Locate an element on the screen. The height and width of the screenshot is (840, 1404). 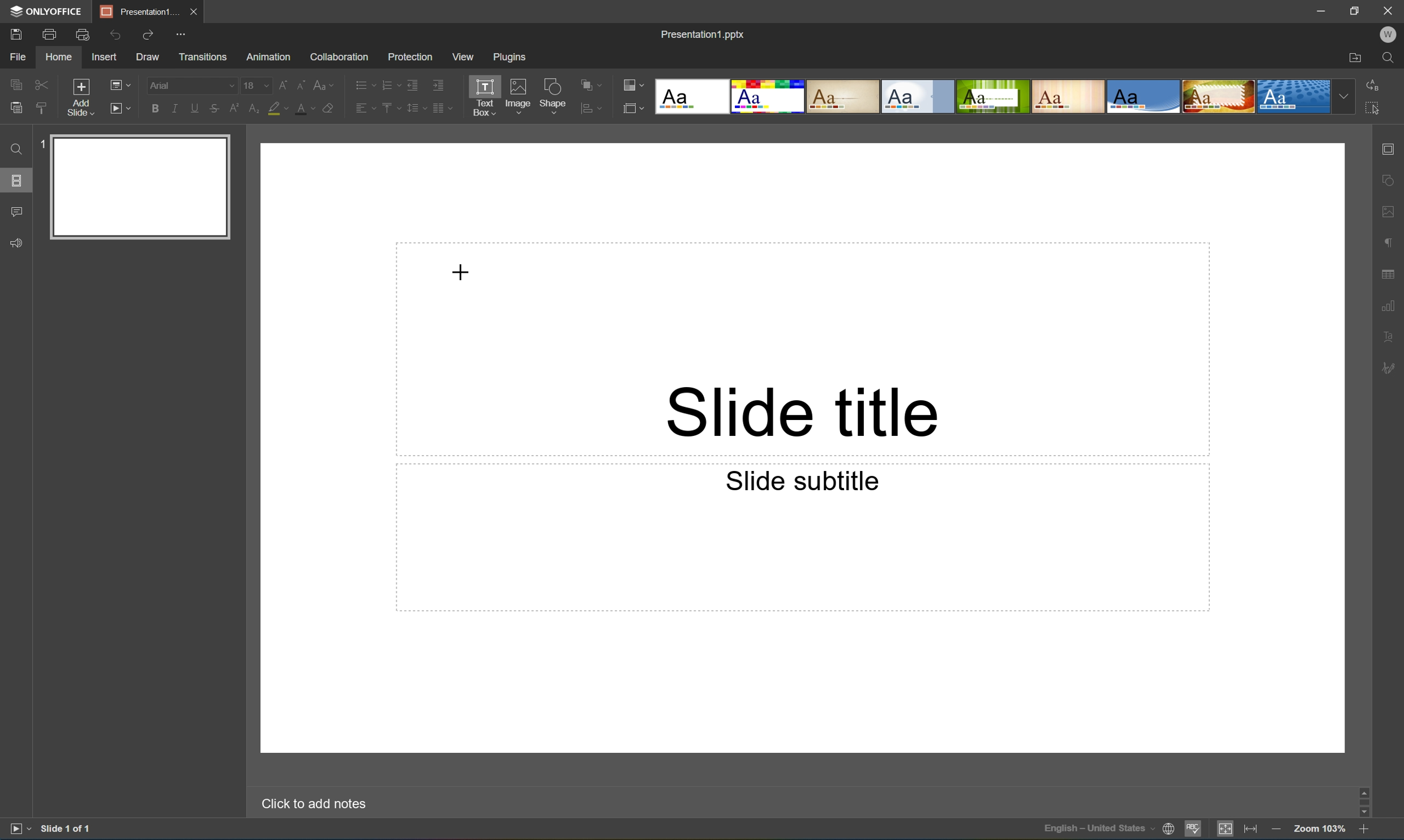
Customize quick access toolbar is located at coordinates (185, 33).